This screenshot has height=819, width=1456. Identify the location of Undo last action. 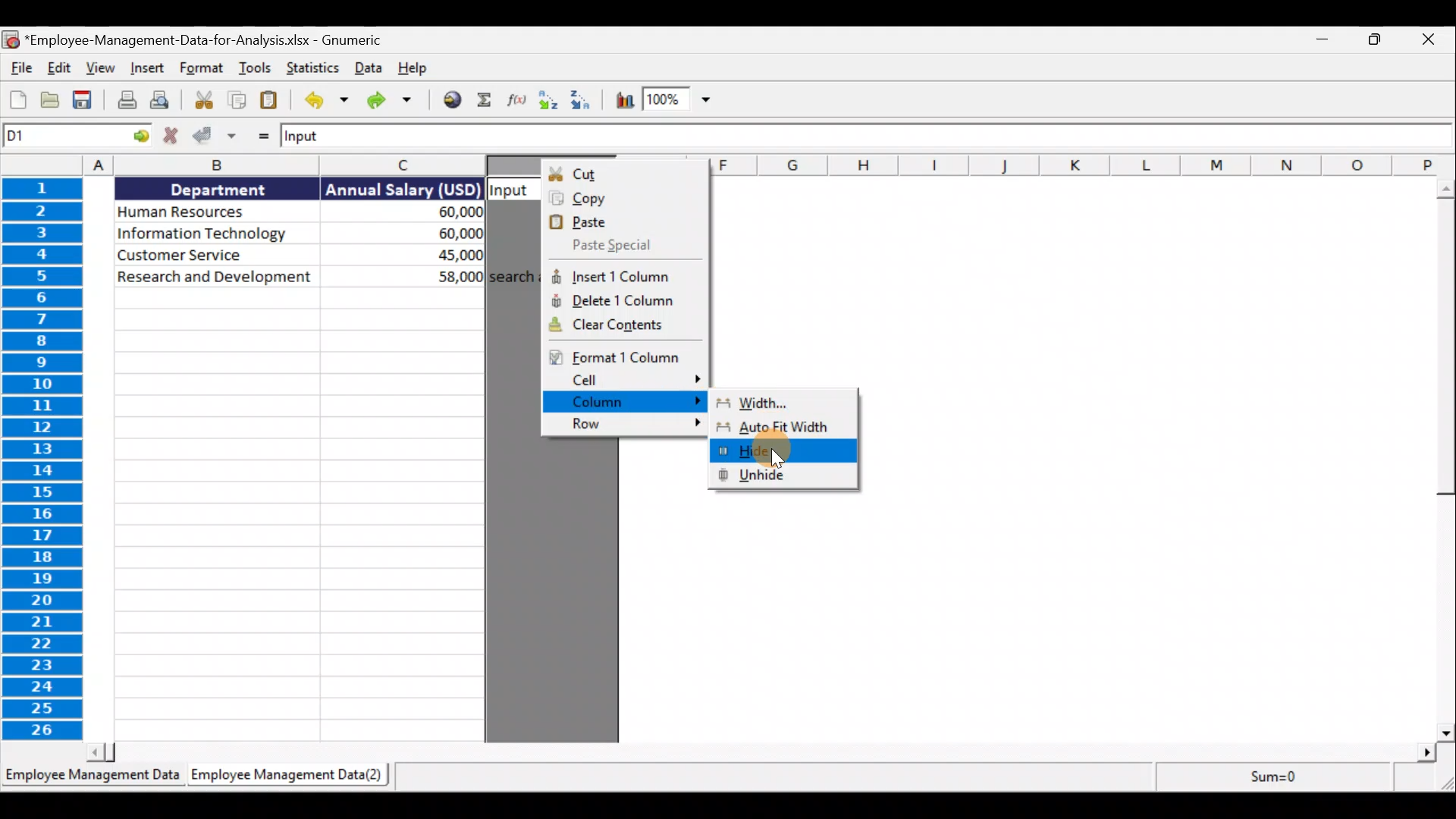
(325, 101).